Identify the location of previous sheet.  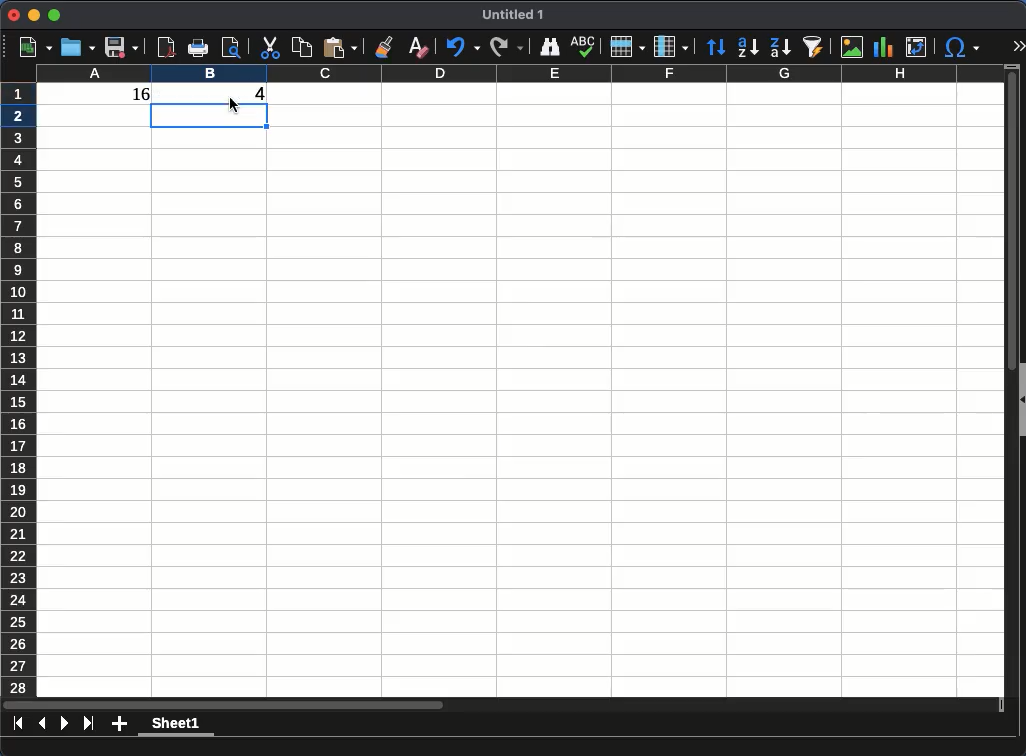
(42, 724).